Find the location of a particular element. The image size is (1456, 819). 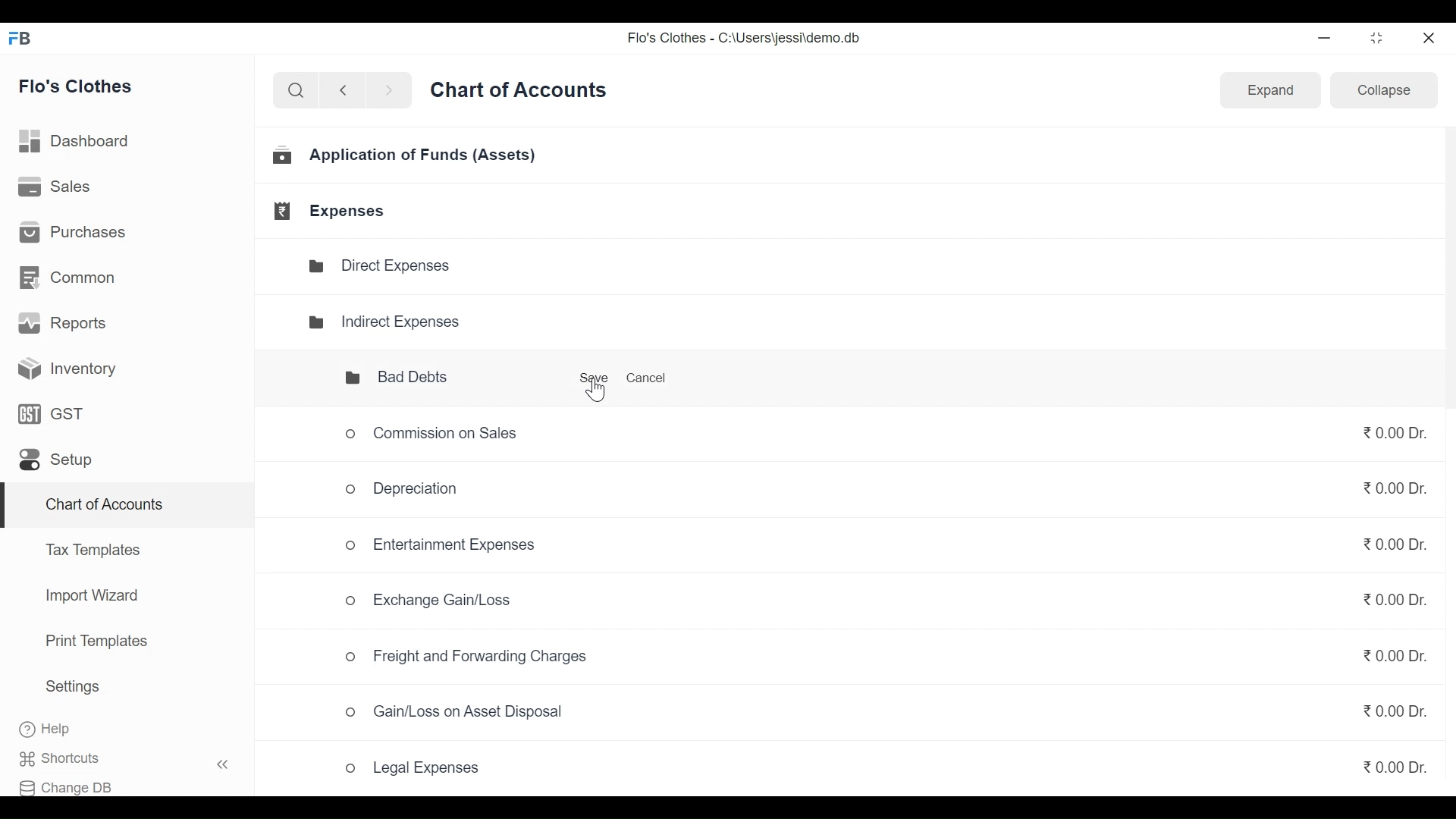

Reports is located at coordinates (65, 326).